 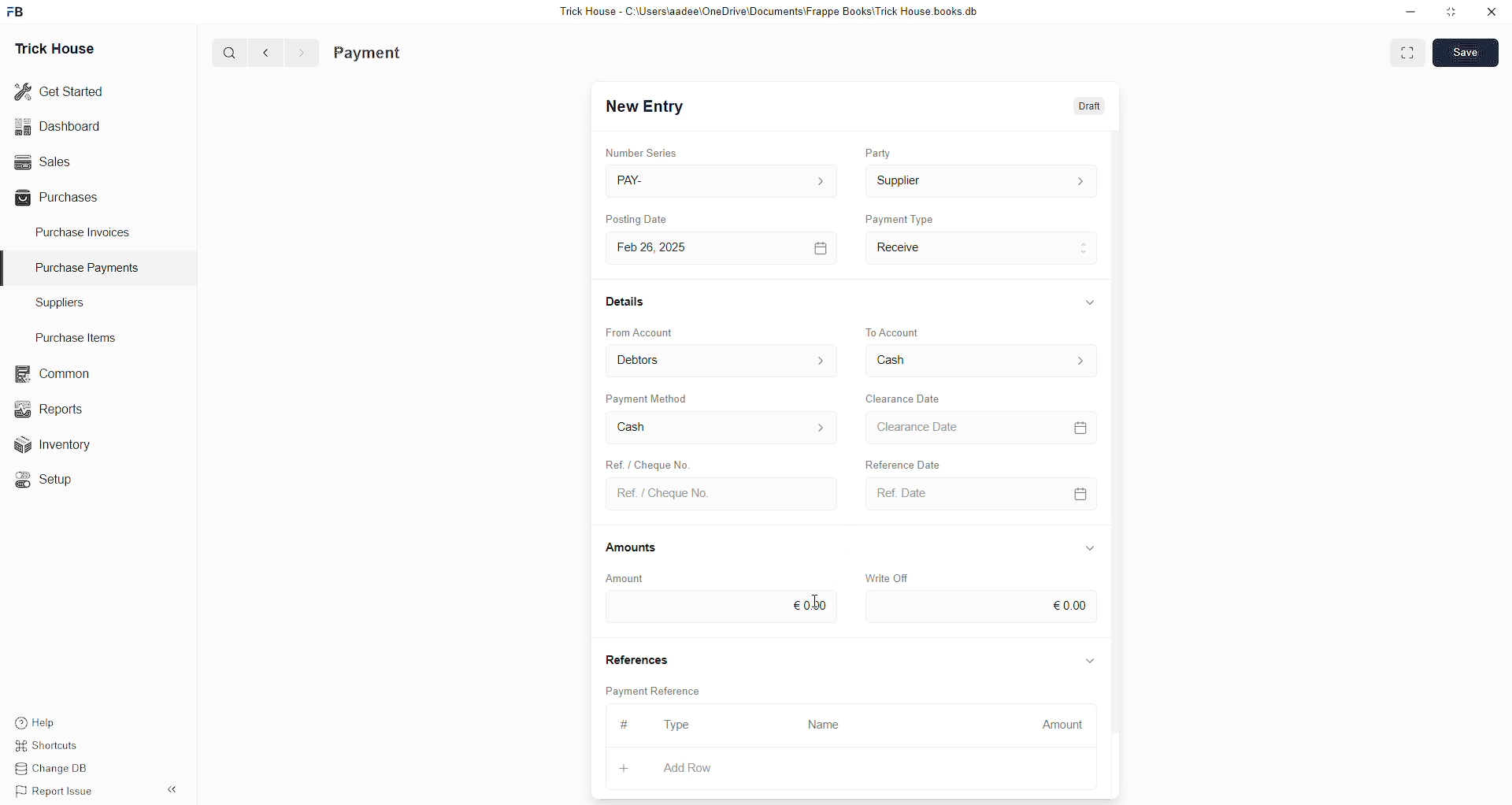 What do you see at coordinates (1410, 13) in the screenshot?
I see `Minimize` at bounding box center [1410, 13].